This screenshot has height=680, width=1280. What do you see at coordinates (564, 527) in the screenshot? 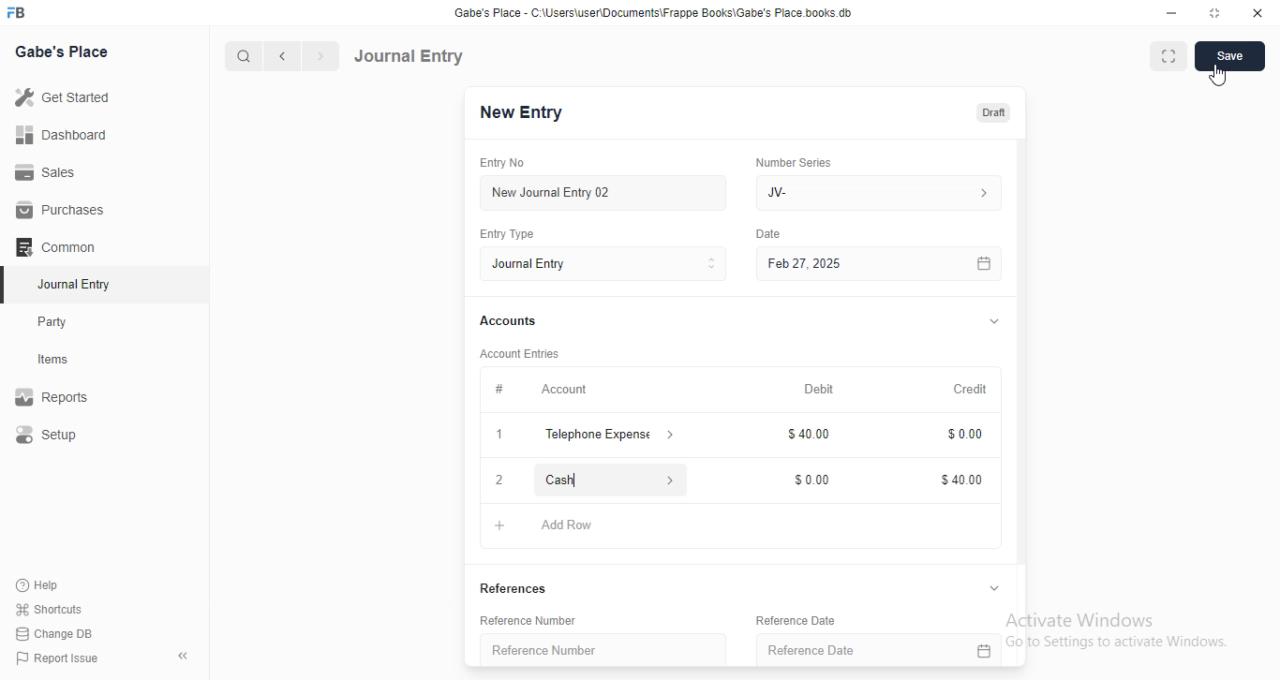
I see `Add Row` at bounding box center [564, 527].